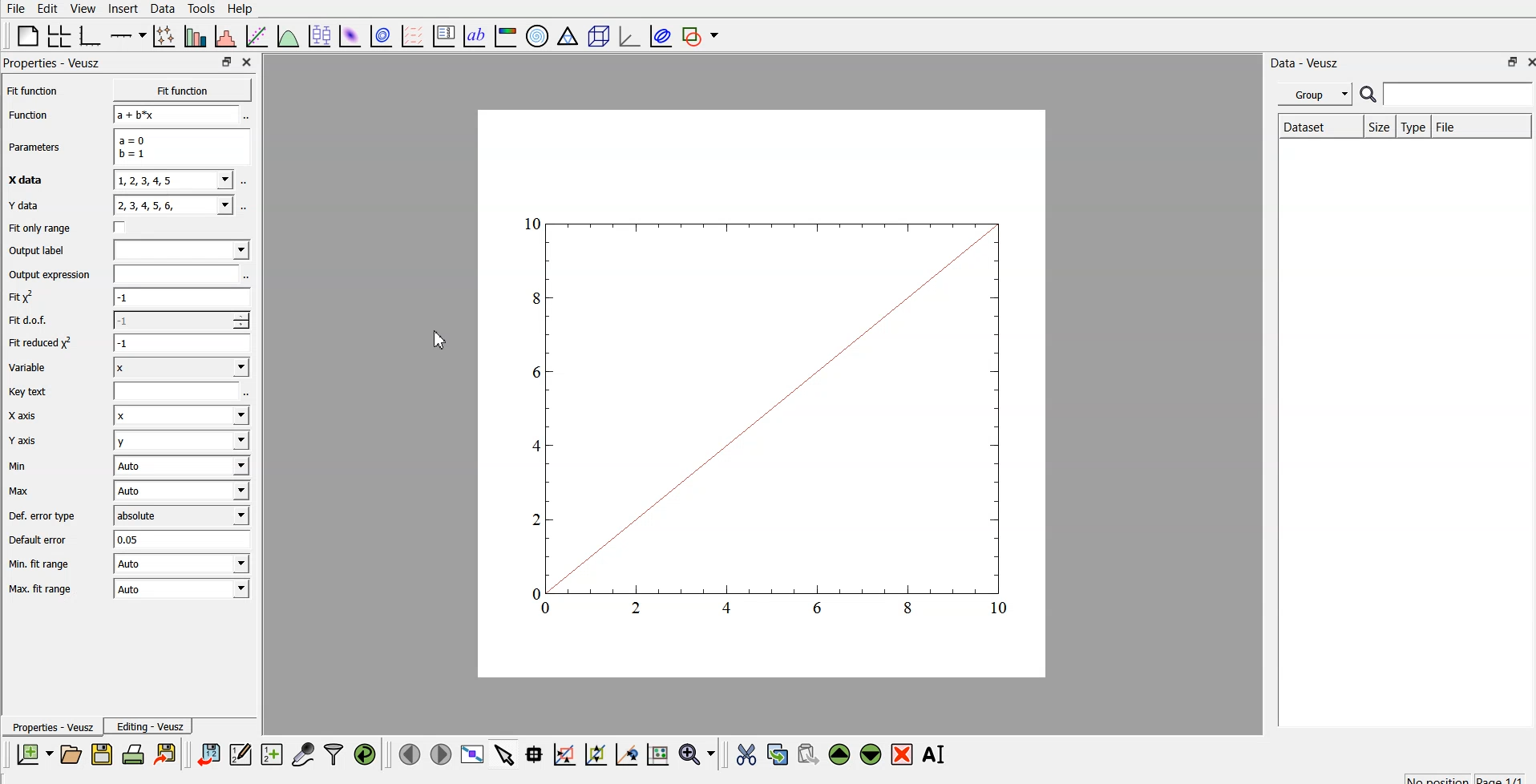  Describe the element at coordinates (39, 464) in the screenshot. I see `Min` at that location.